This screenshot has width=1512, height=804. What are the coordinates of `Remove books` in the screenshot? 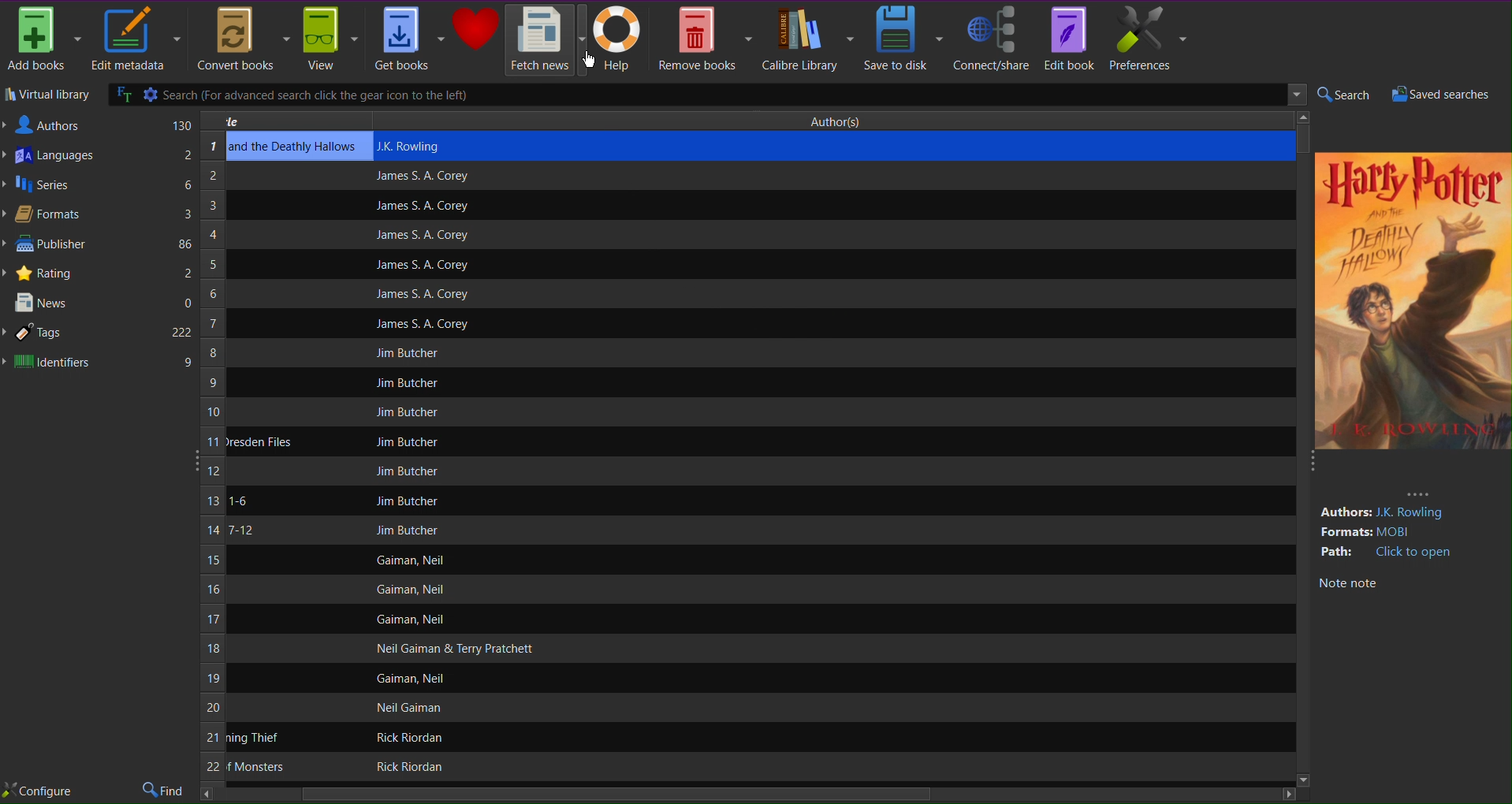 It's located at (706, 37).